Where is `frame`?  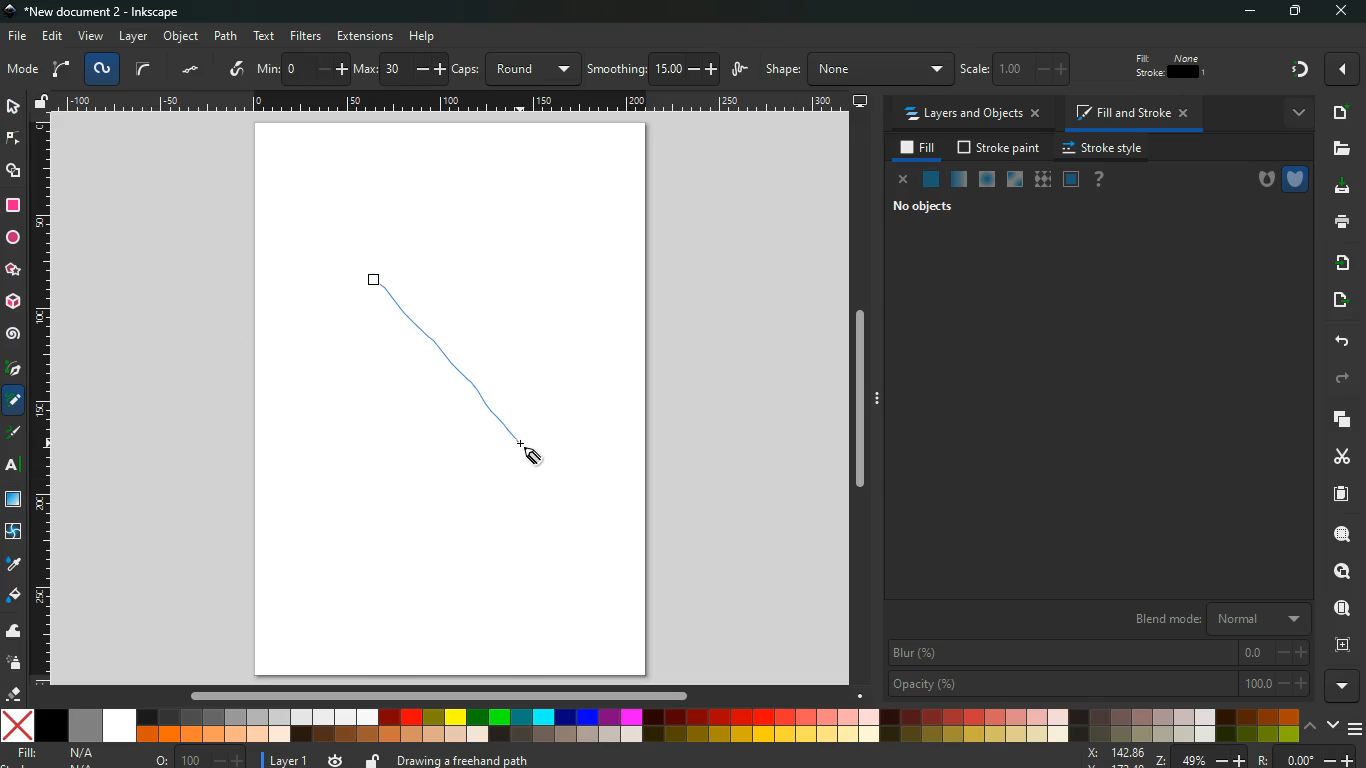 frame is located at coordinates (1339, 644).